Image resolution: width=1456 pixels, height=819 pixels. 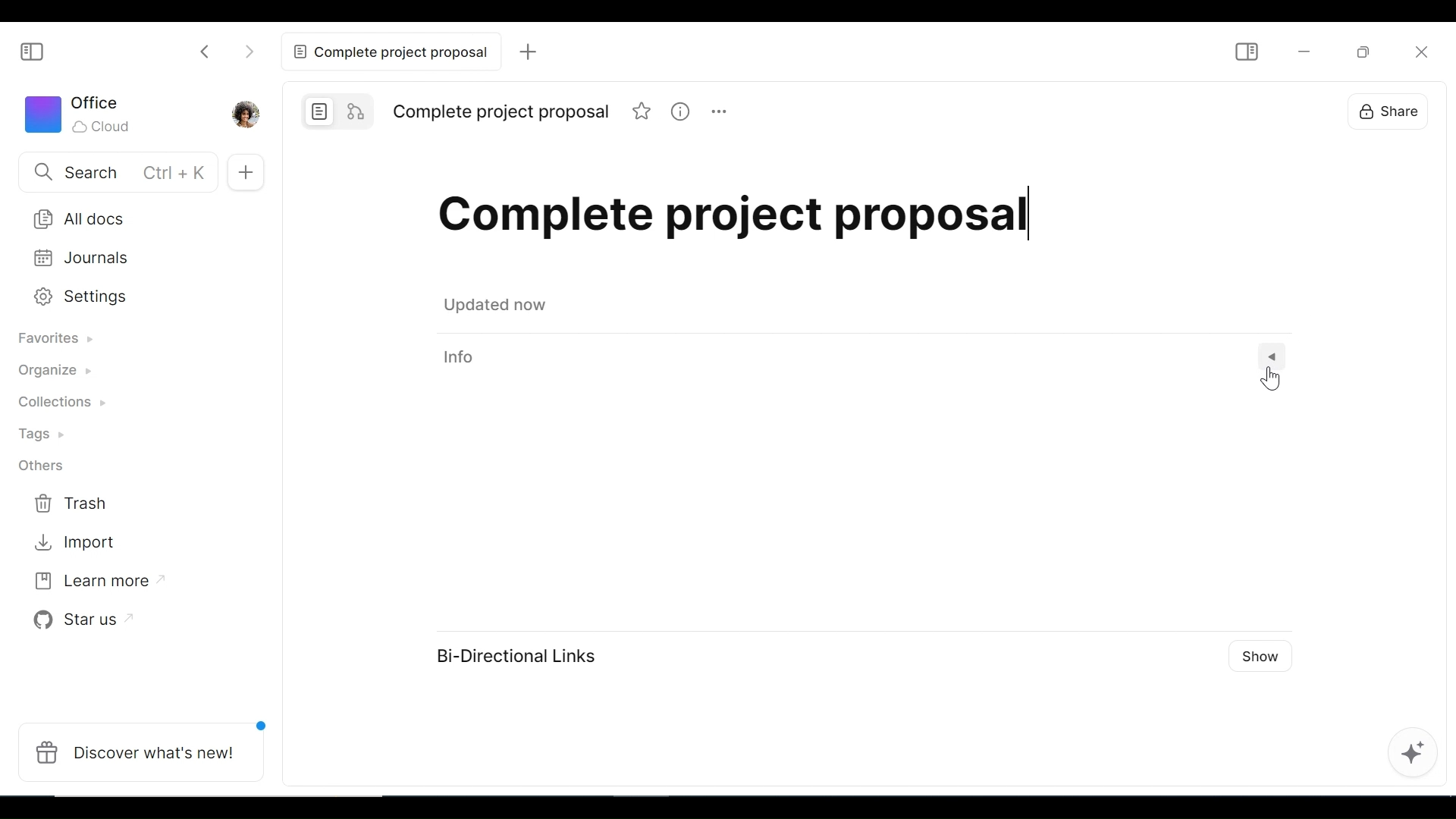 What do you see at coordinates (40, 465) in the screenshot?
I see `Others` at bounding box center [40, 465].